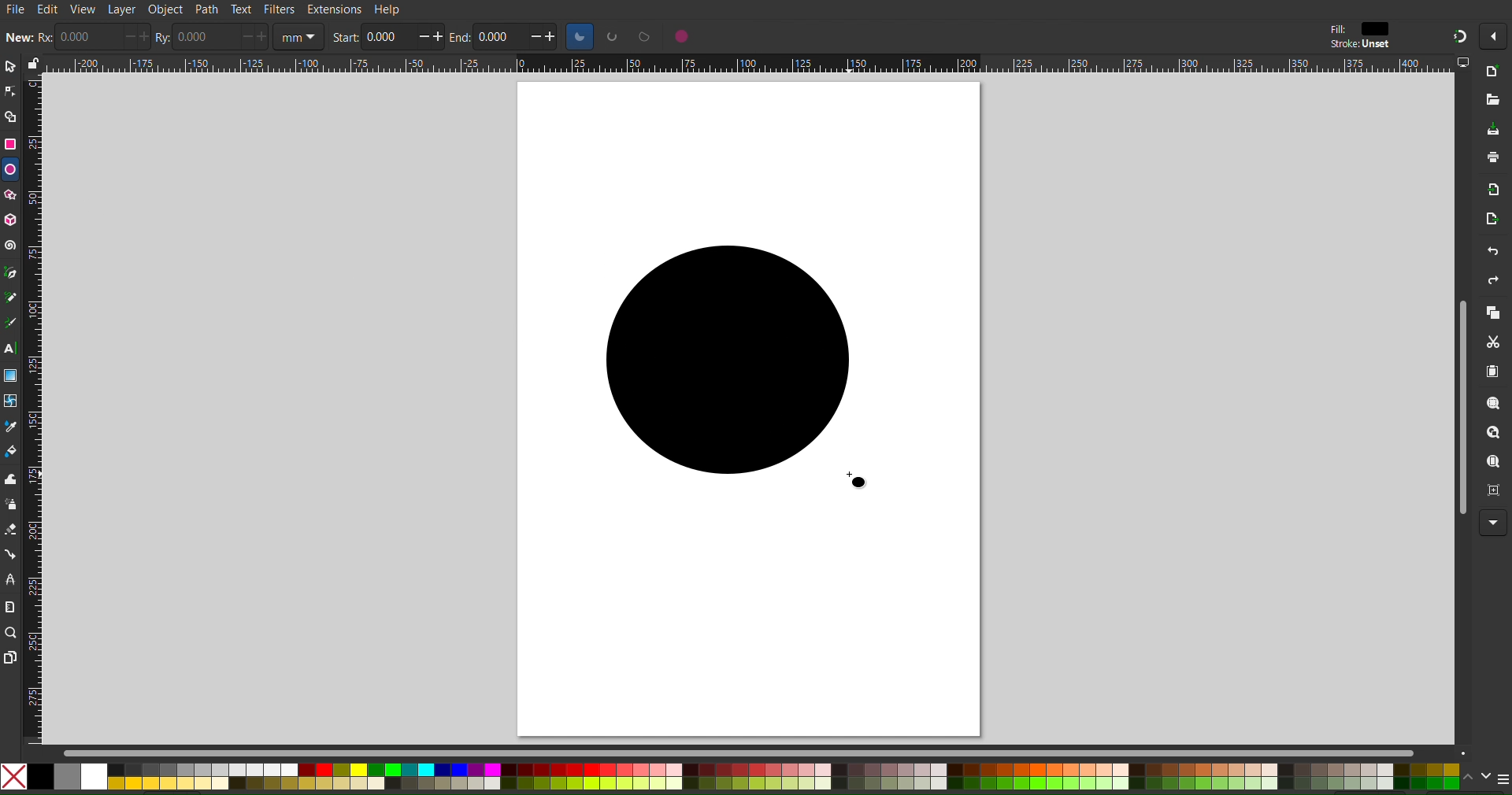 The image size is (1512, 795). I want to click on Extensions, so click(333, 9).